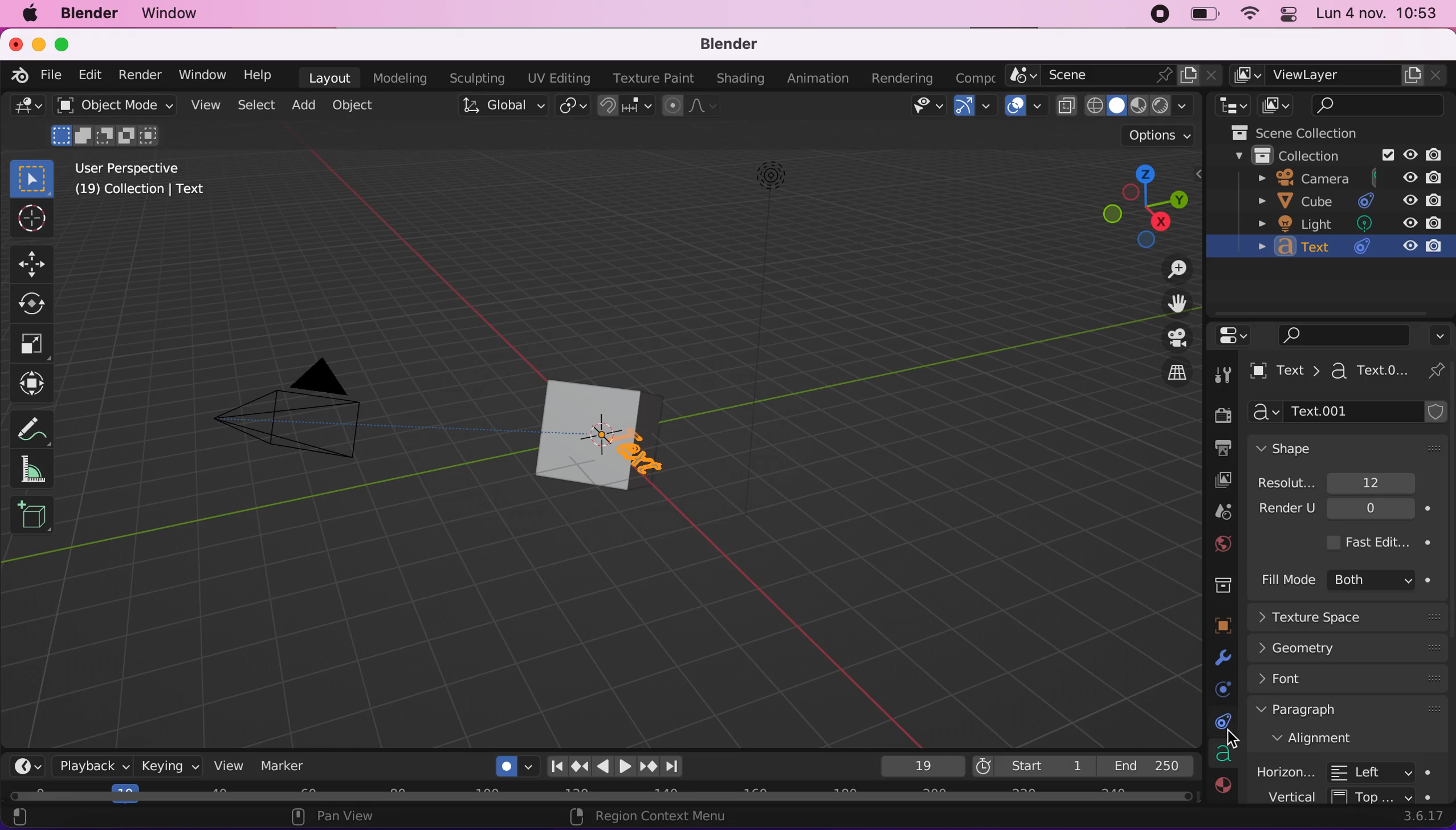  Describe the element at coordinates (1310, 133) in the screenshot. I see `scene collection` at that location.